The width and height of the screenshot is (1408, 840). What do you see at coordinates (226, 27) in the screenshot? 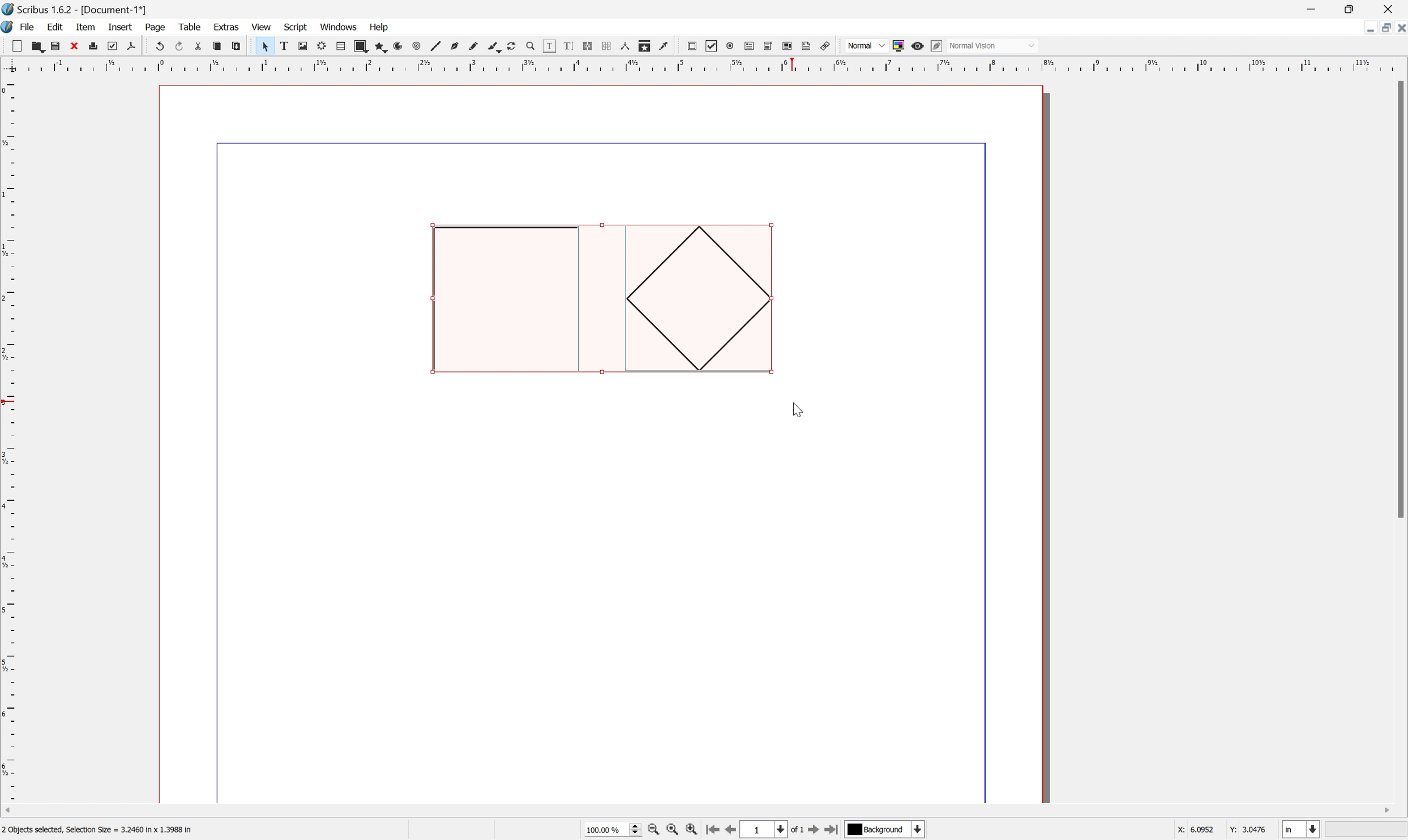
I see `extras` at bounding box center [226, 27].